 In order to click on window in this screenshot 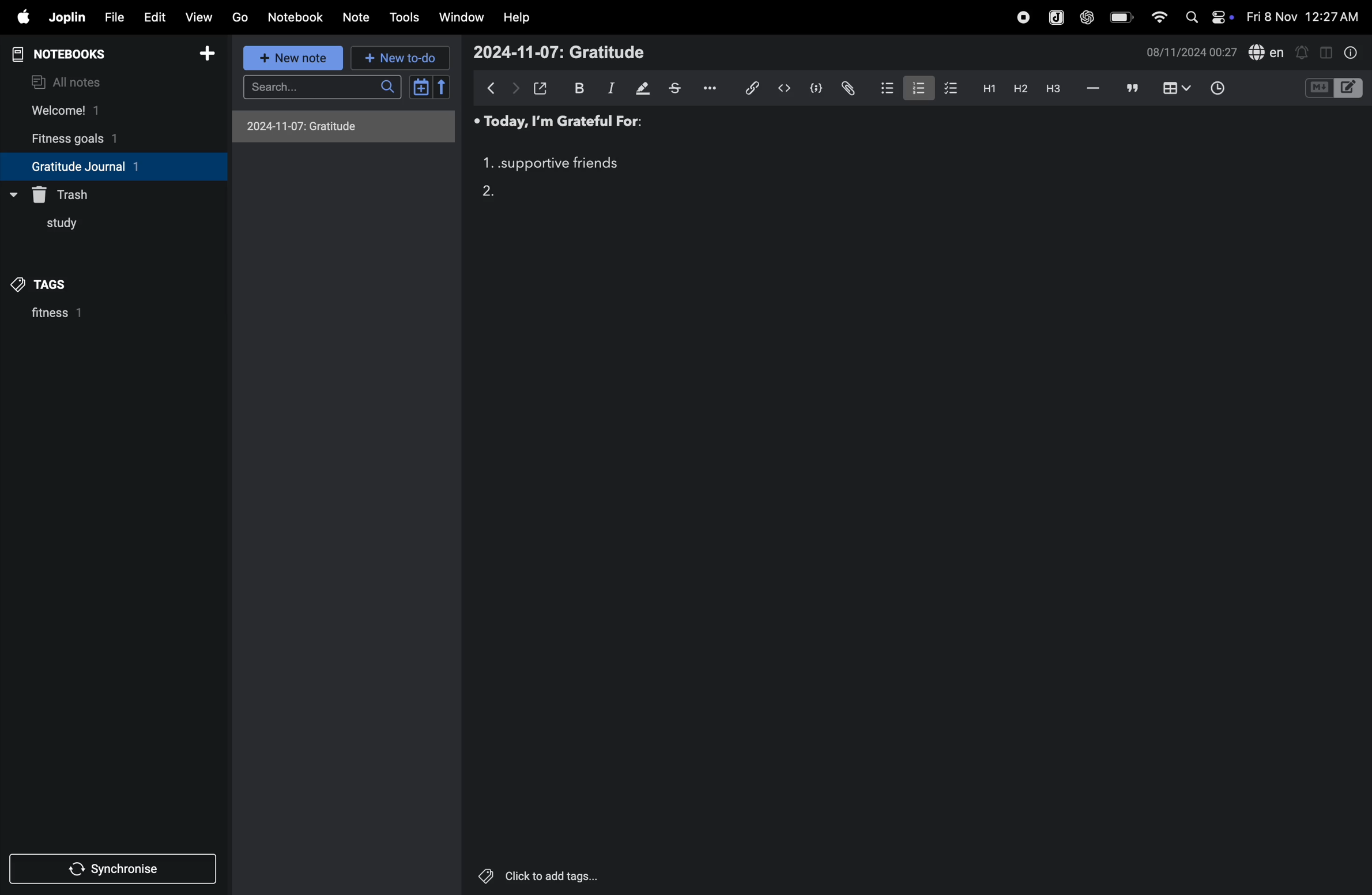, I will do `click(462, 16)`.